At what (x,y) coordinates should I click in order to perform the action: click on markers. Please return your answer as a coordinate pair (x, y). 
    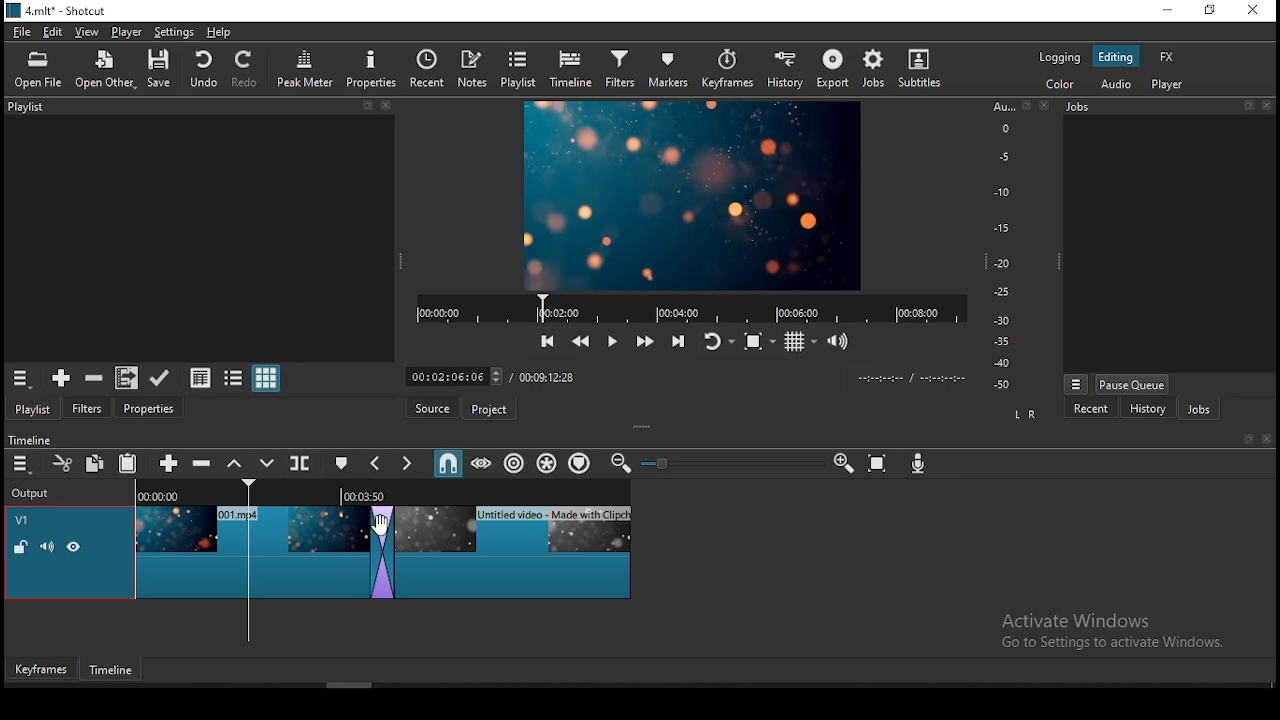
    Looking at the image, I should click on (674, 68).